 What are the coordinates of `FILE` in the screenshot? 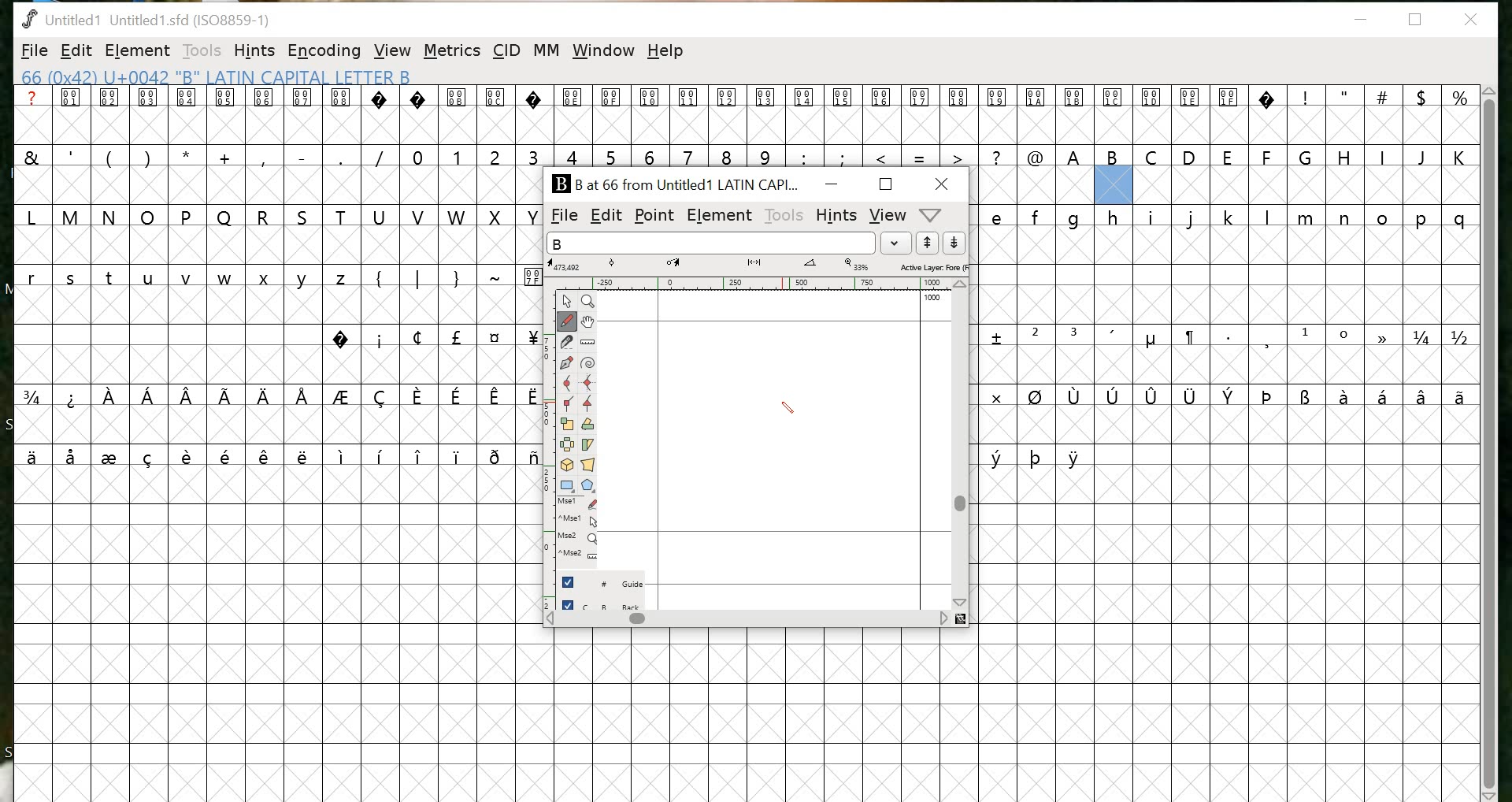 It's located at (561, 216).